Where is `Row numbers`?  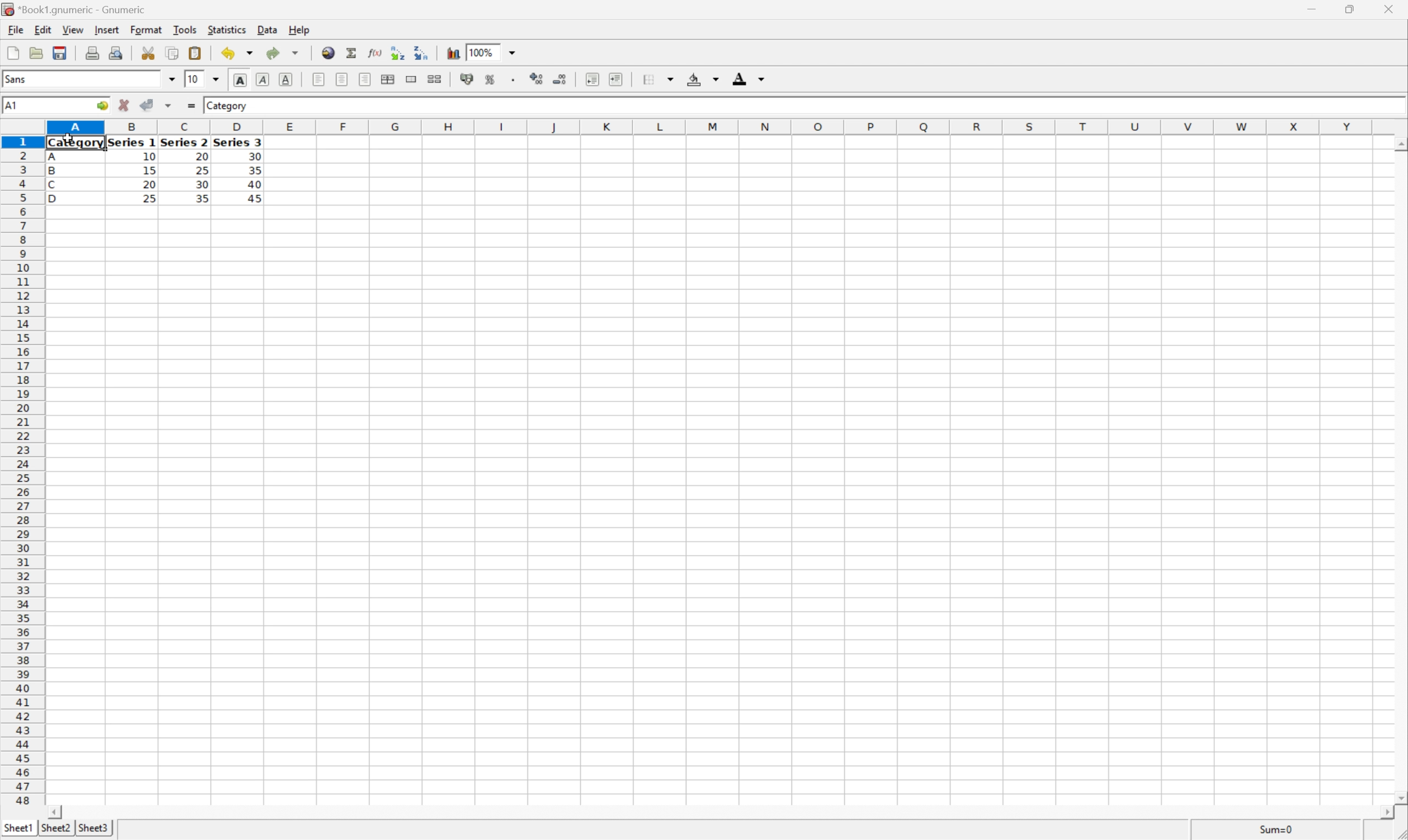
Row numbers is located at coordinates (21, 470).